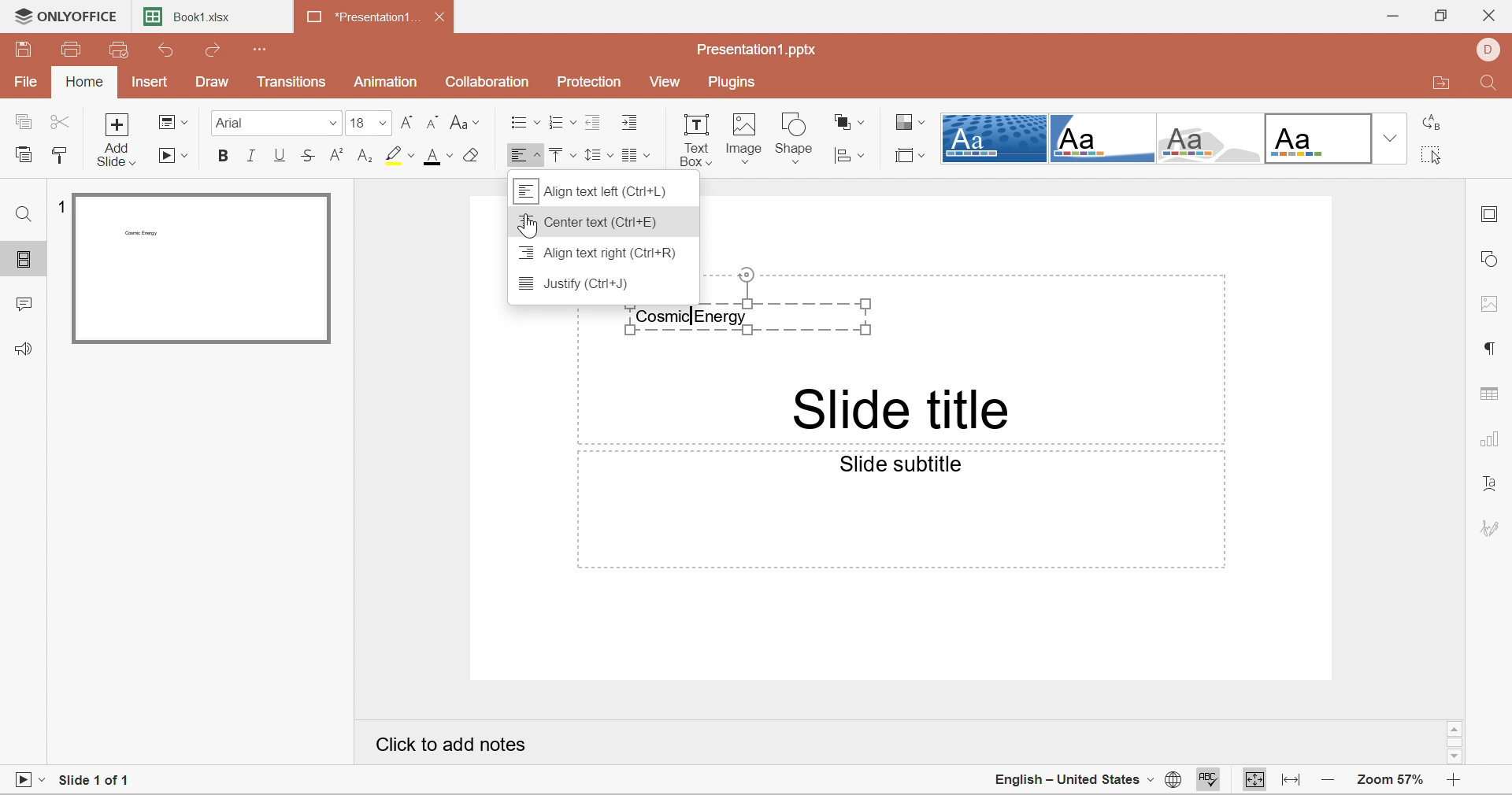  What do you see at coordinates (1494, 486) in the screenshot?
I see `Text Art settings` at bounding box center [1494, 486].